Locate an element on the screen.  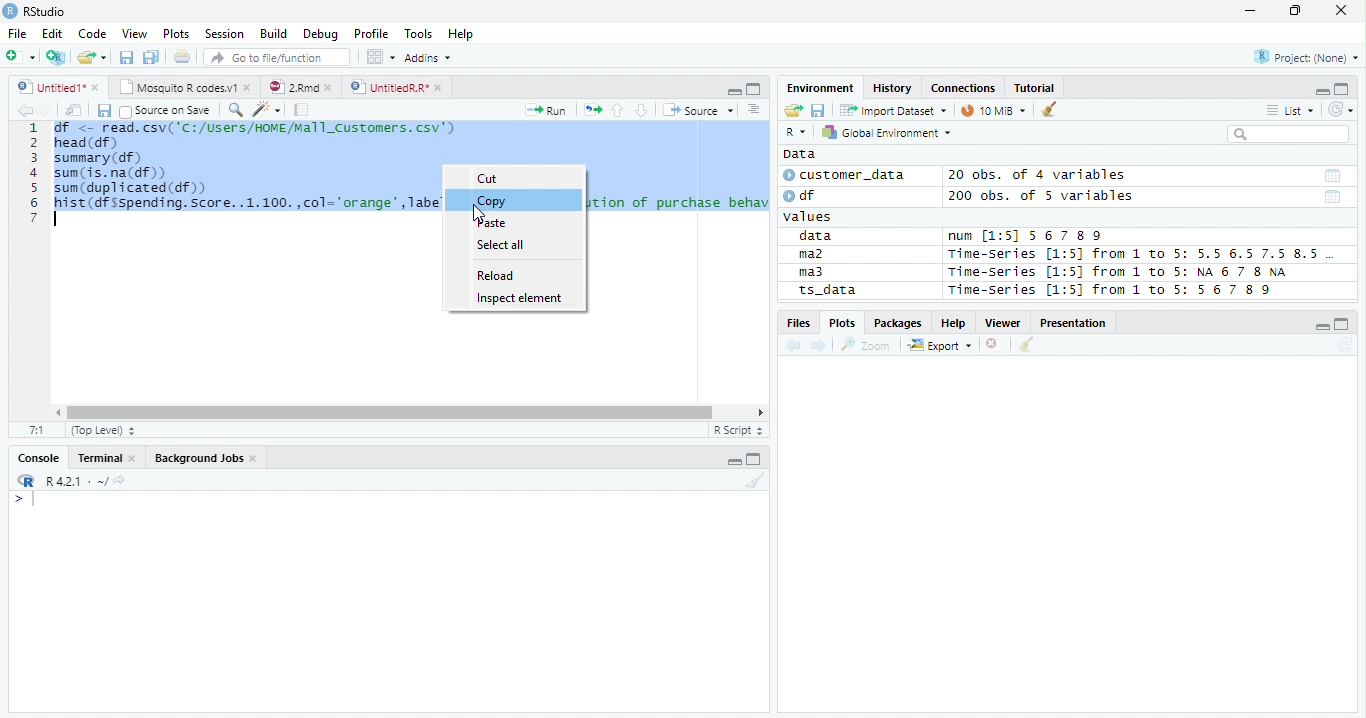
Scroll is located at coordinates (407, 414).